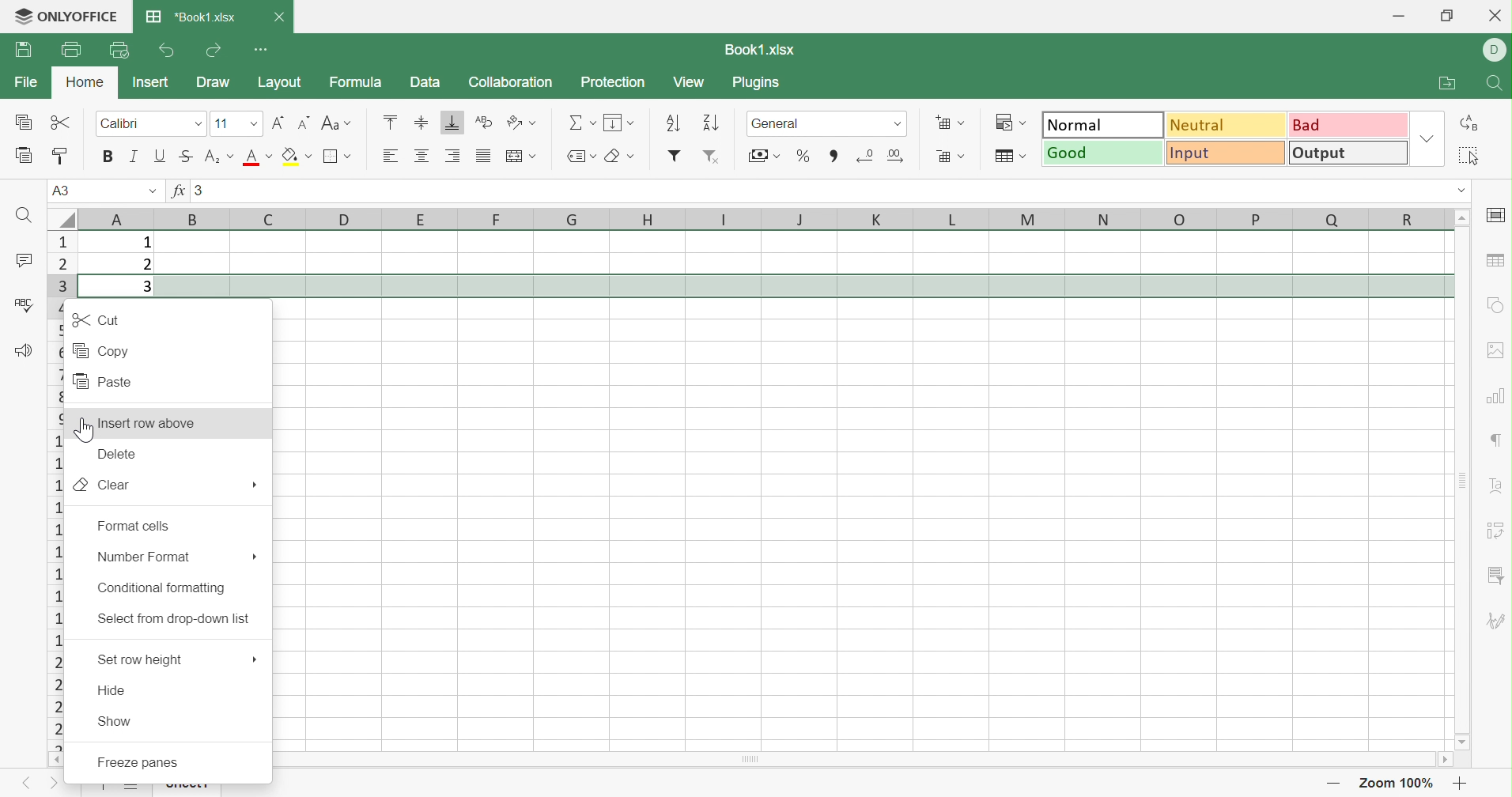  I want to click on Calibri, so click(122, 123).